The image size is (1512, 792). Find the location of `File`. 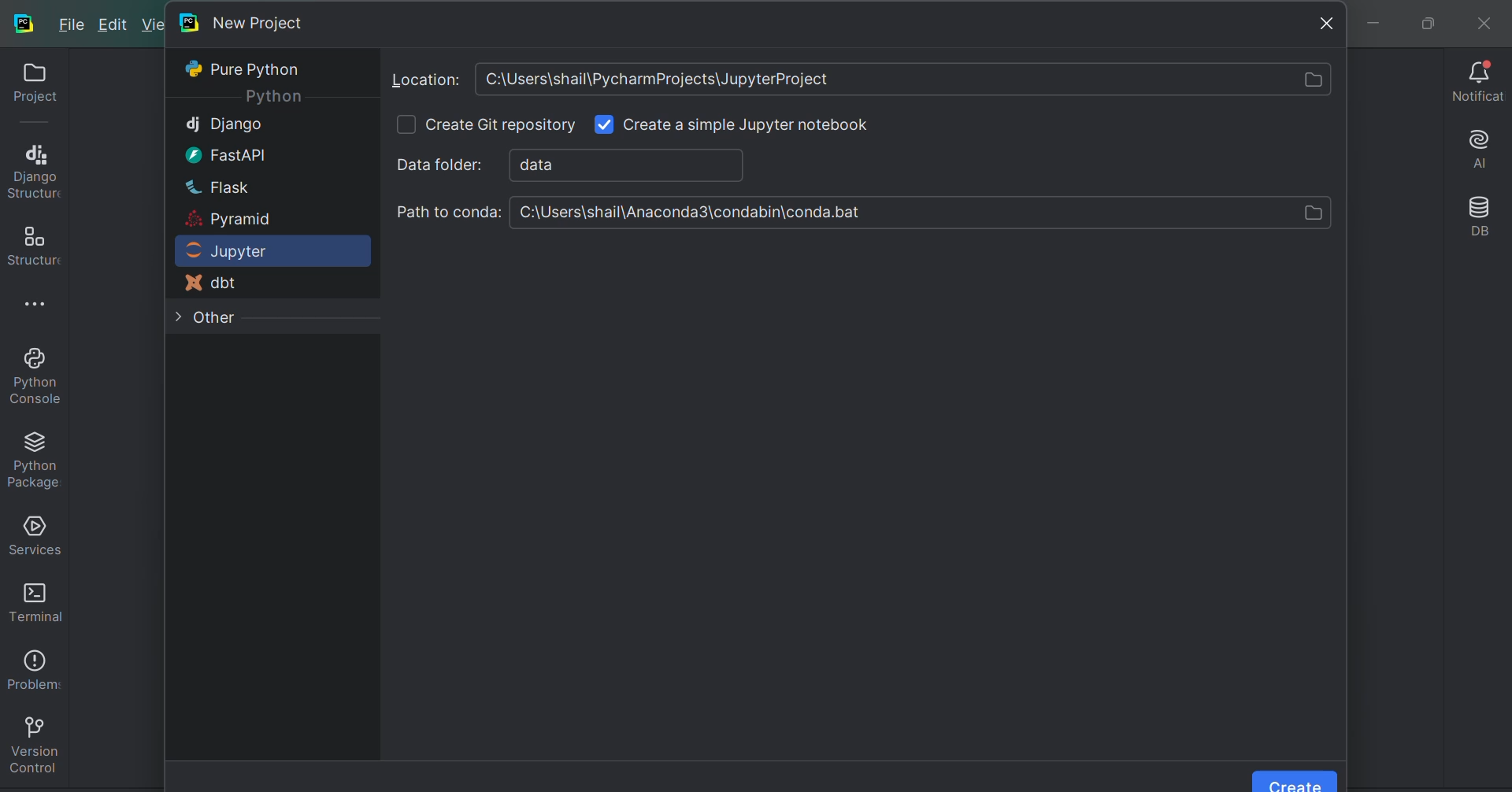

File is located at coordinates (72, 24).